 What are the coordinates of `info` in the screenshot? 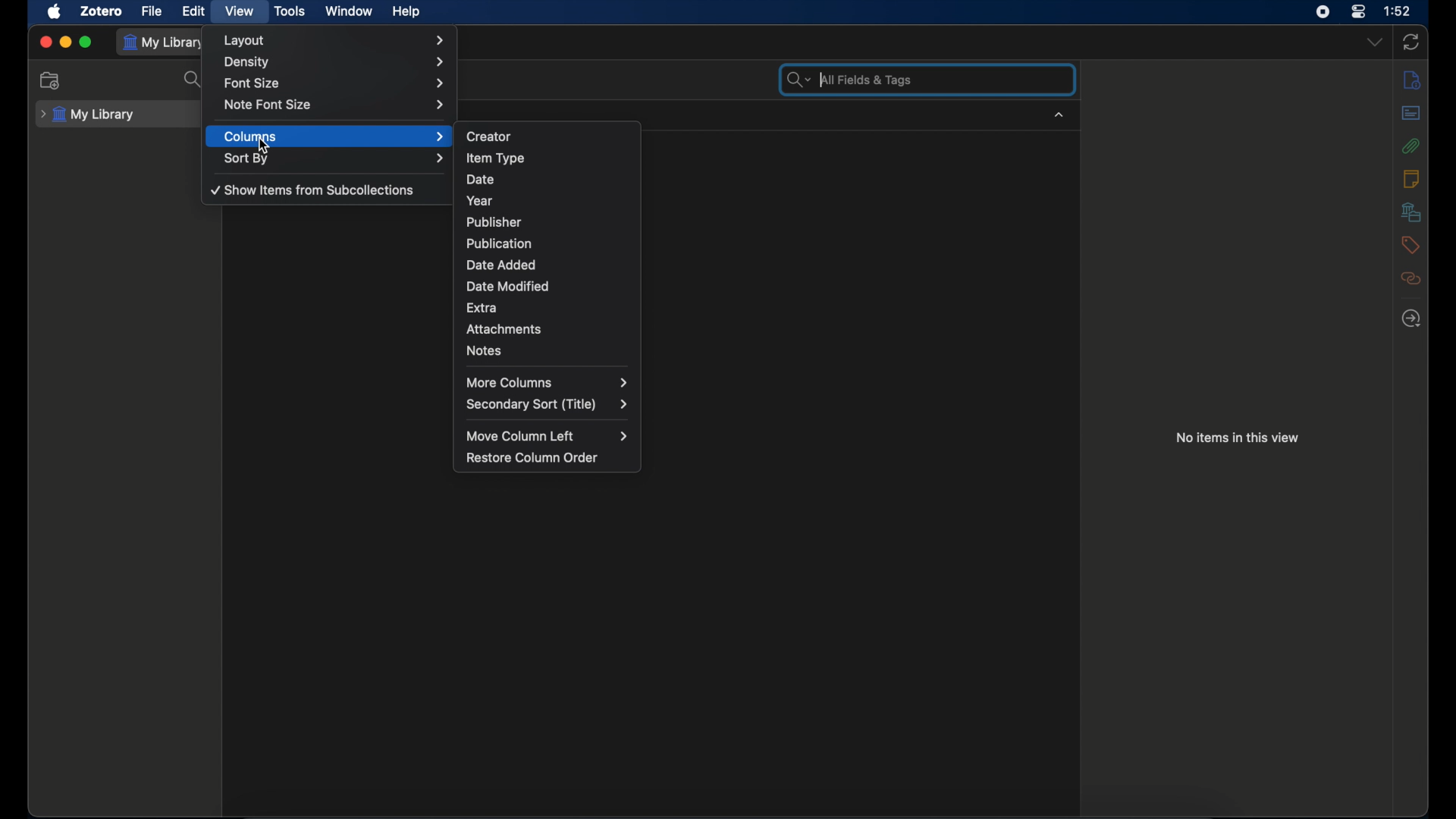 It's located at (1412, 80).